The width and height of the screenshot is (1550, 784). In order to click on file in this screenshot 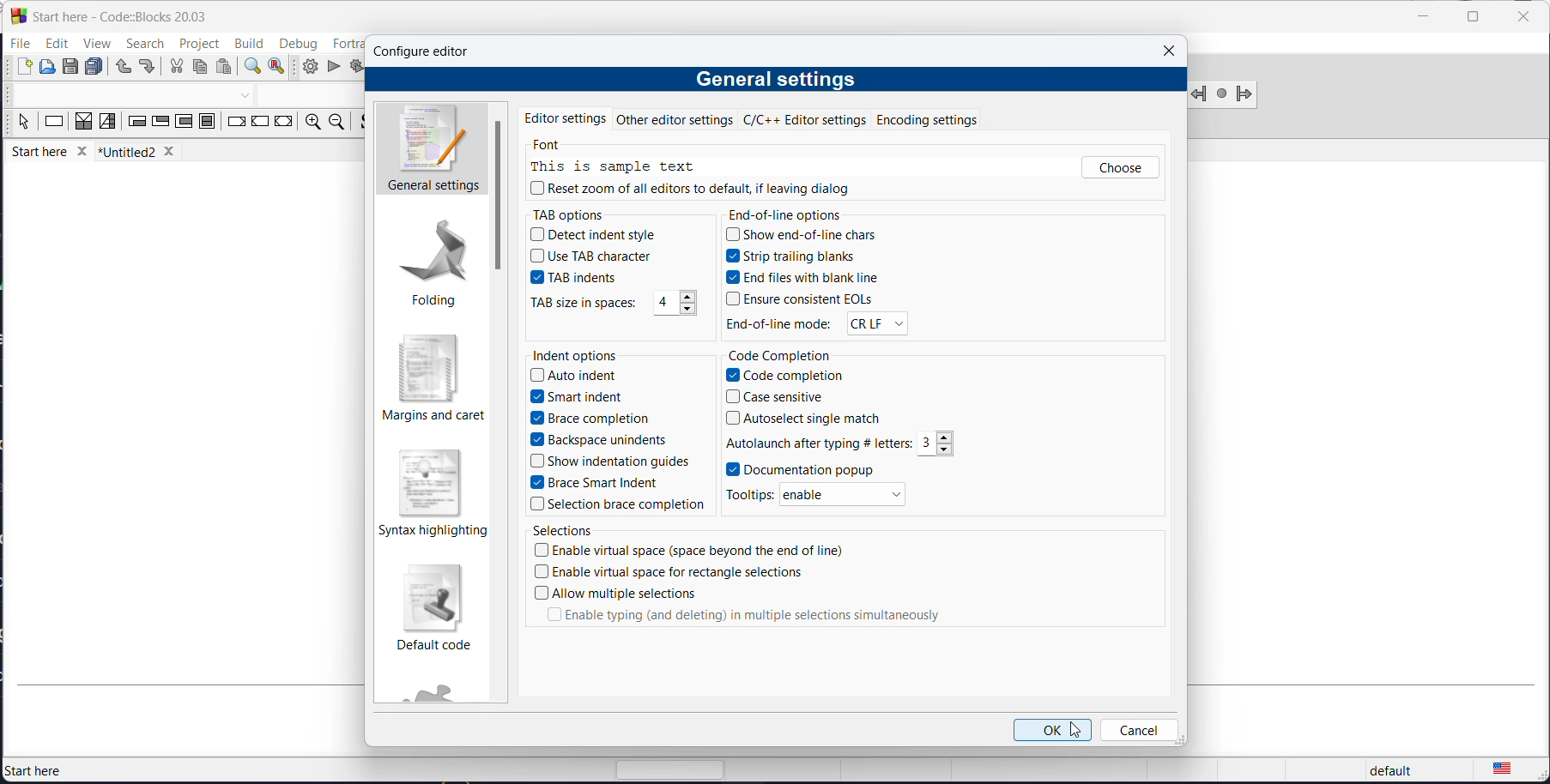, I will do `click(21, 43)`.